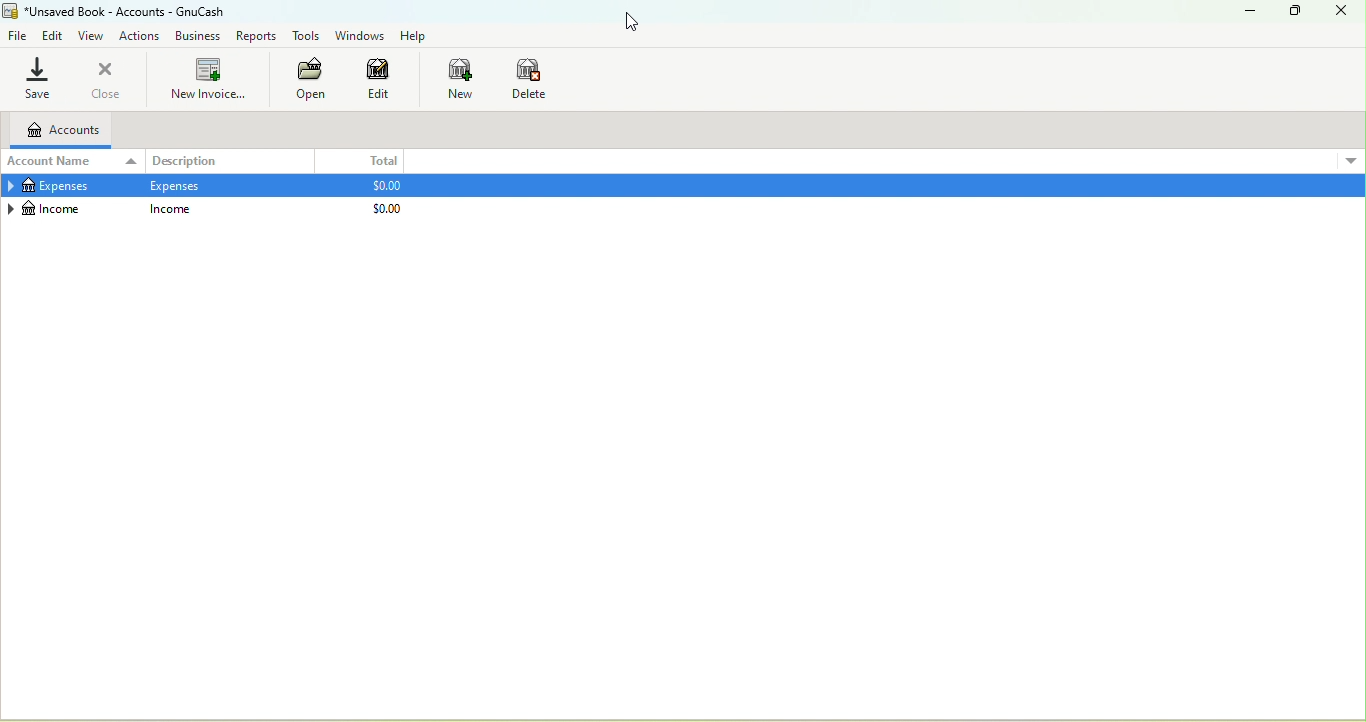 The height and width of the screenshot is (722, 1366). Describe the element at coordinates (9, 186) in the screenshot. I see `Collapse` at that location.